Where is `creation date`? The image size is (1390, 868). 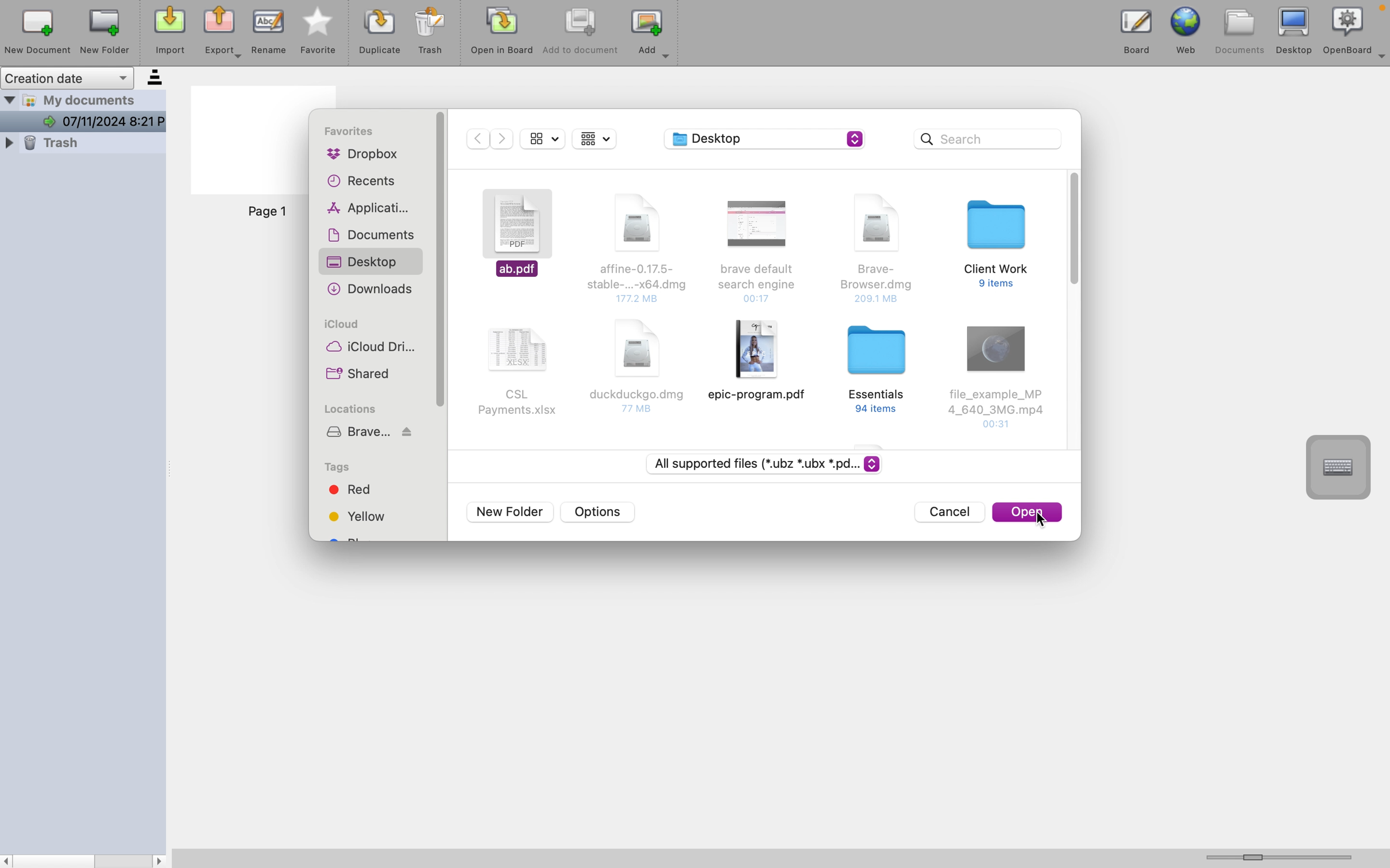 creation date is located at coordinates (84, 77).